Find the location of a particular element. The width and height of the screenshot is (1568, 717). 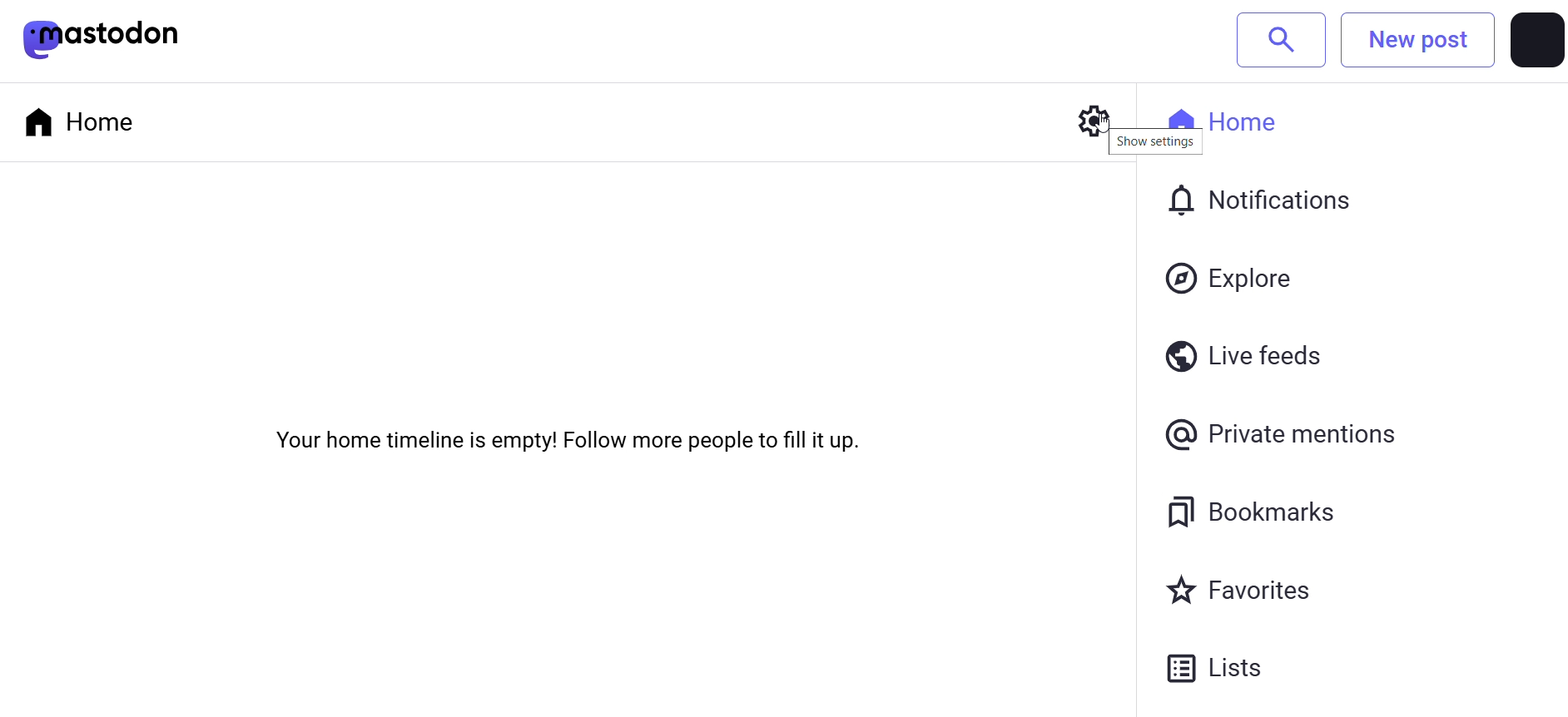

New post is located at coordinates (1419, 40).